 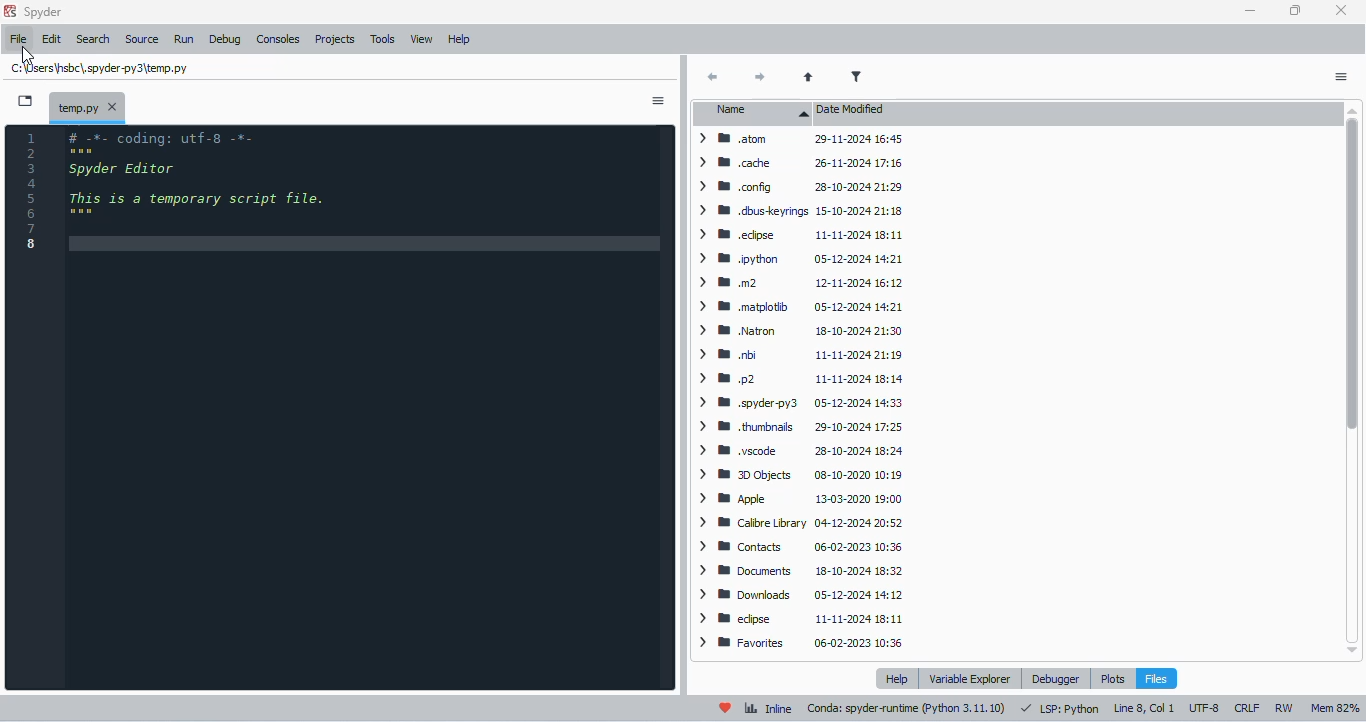 What do you see at coordinates (1056, 678) in the screenshot?
I see `debugger` at bounding box center [1056, 678].